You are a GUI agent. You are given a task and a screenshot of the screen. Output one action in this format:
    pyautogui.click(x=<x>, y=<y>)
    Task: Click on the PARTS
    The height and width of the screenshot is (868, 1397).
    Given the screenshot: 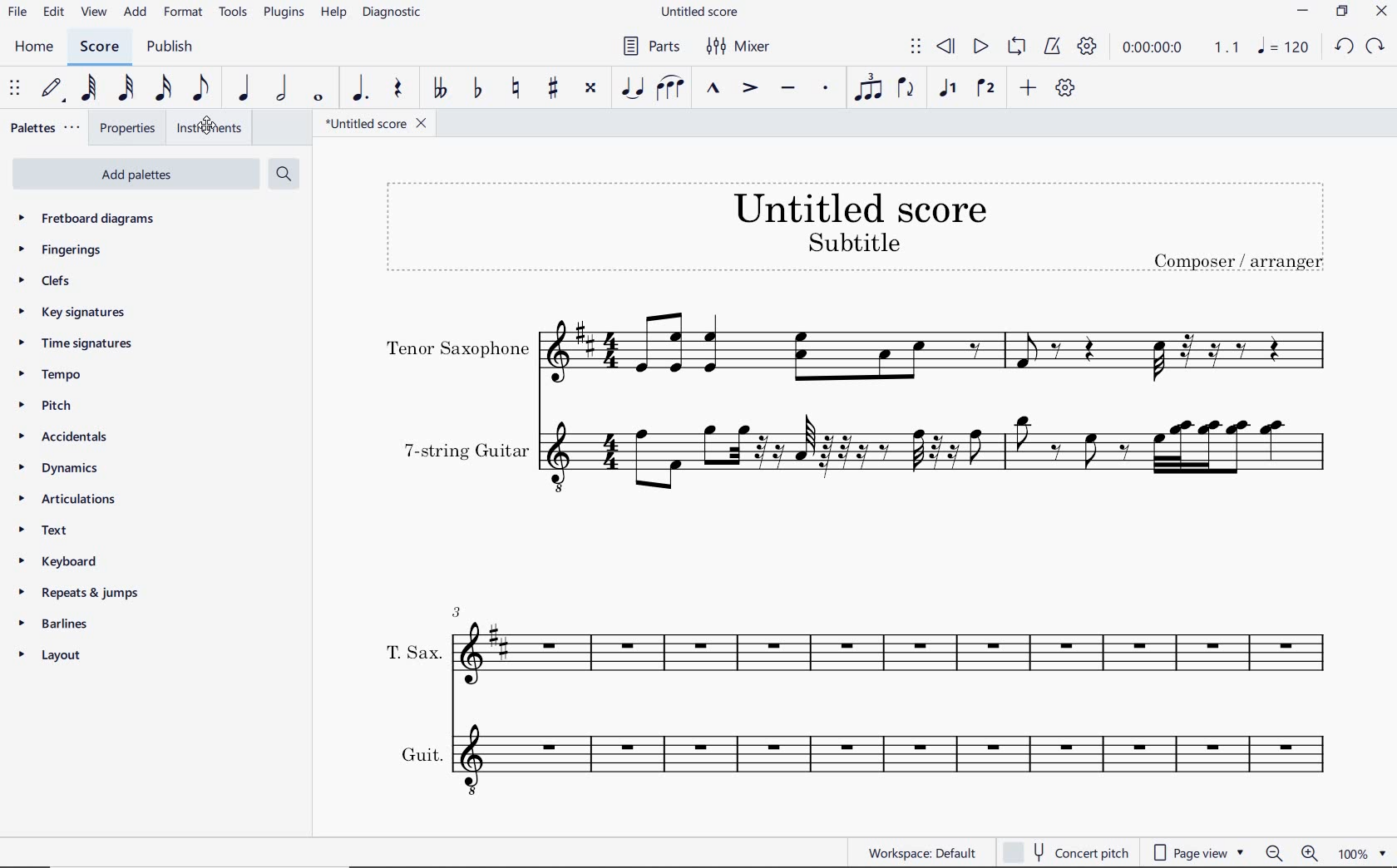 What is the action you would take?
    pyautogui.click(x=648, y=44)
    